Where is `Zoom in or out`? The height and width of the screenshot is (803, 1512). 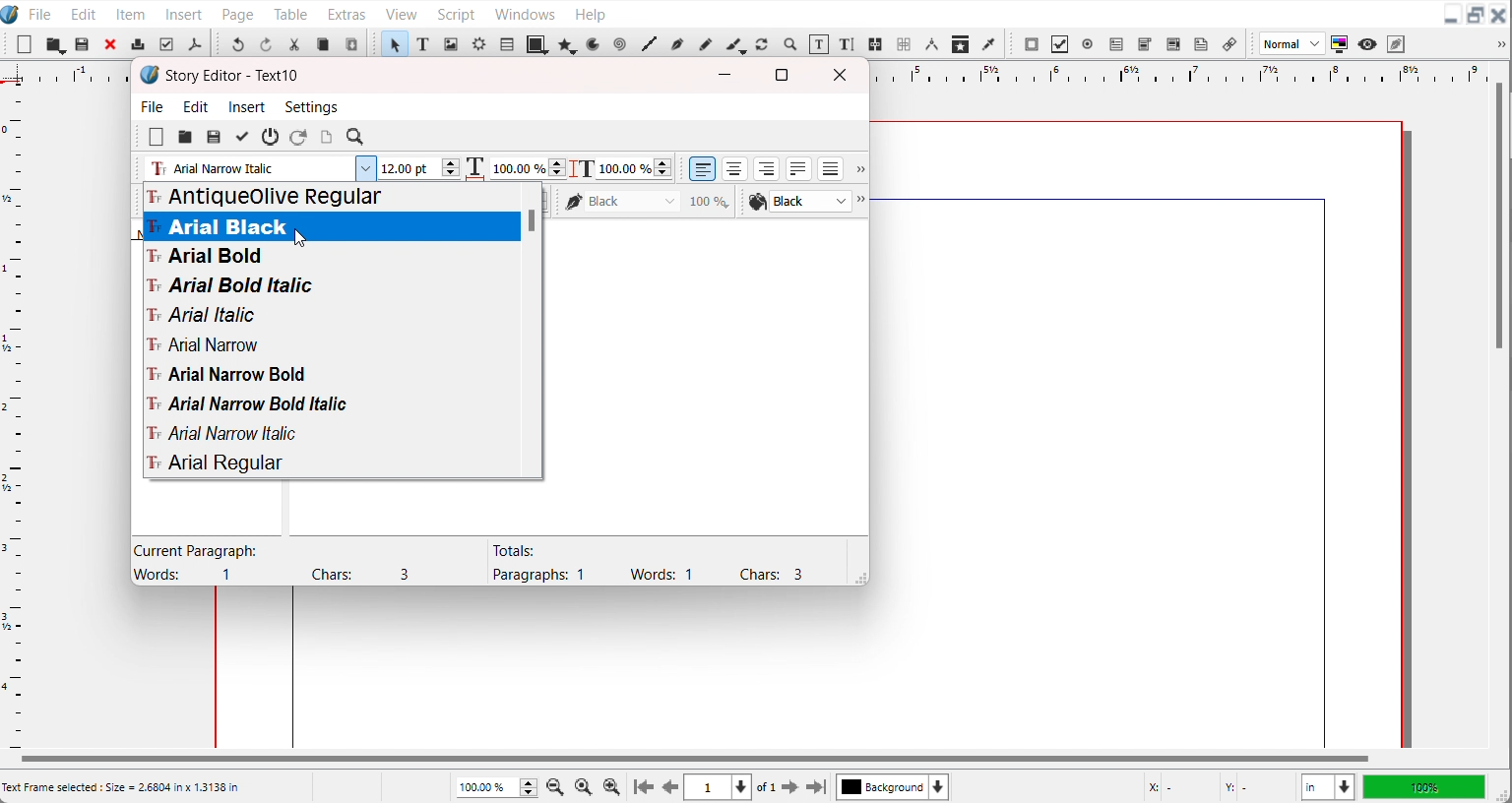
Zoom in or out is located at coordinates (788, 43).